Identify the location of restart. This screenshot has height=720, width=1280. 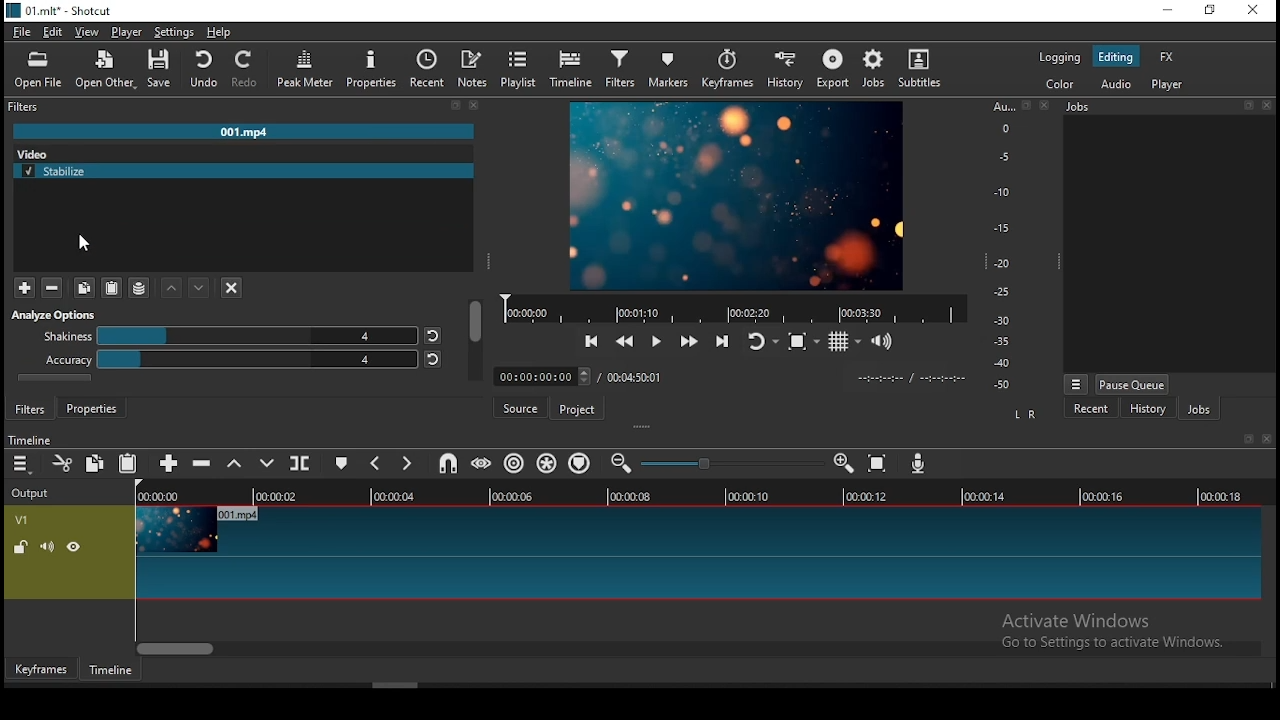
(756, 344).